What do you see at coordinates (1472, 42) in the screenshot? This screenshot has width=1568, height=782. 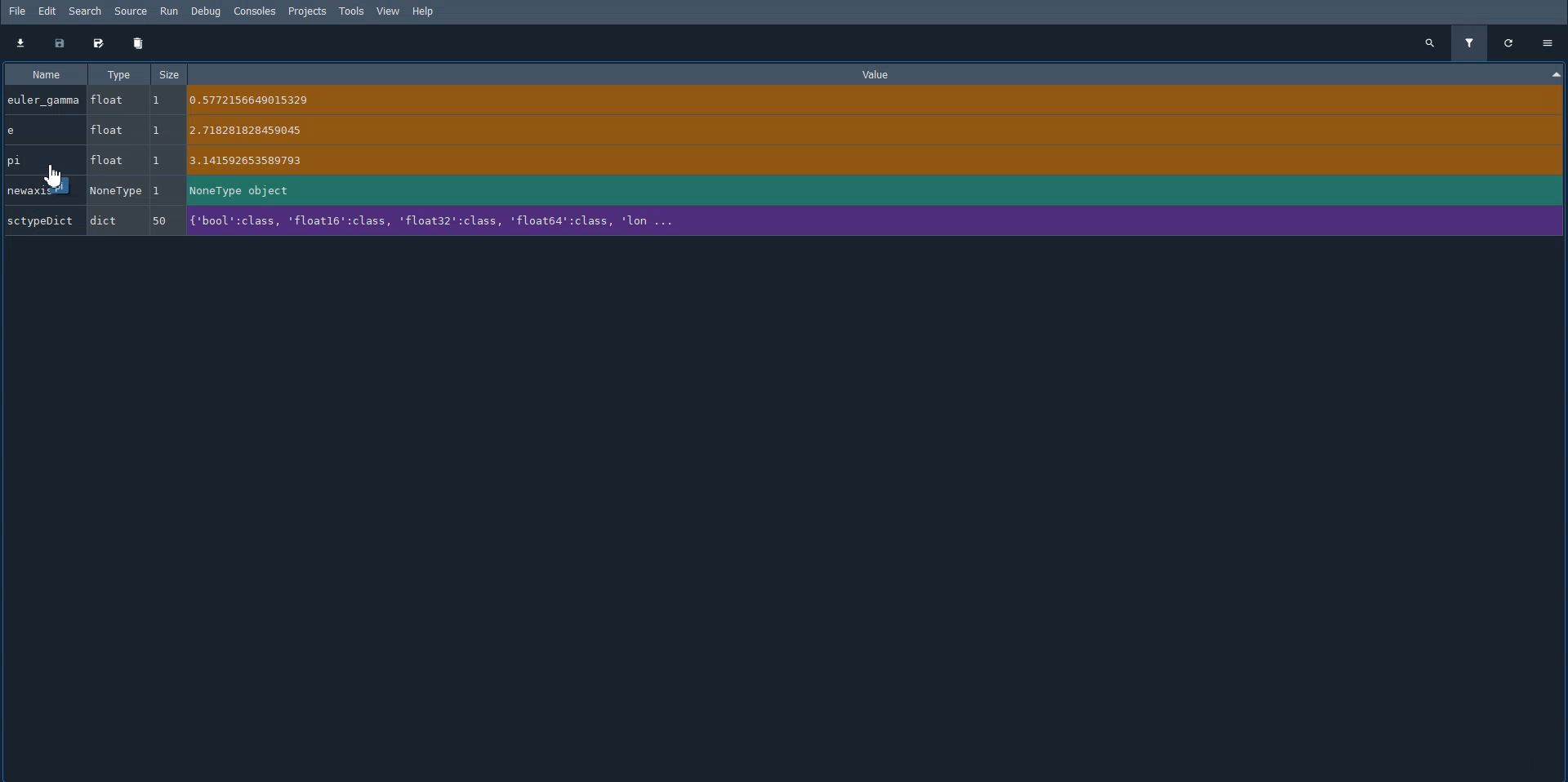 I see `Filter variables` at bounding box center [1472, 42].